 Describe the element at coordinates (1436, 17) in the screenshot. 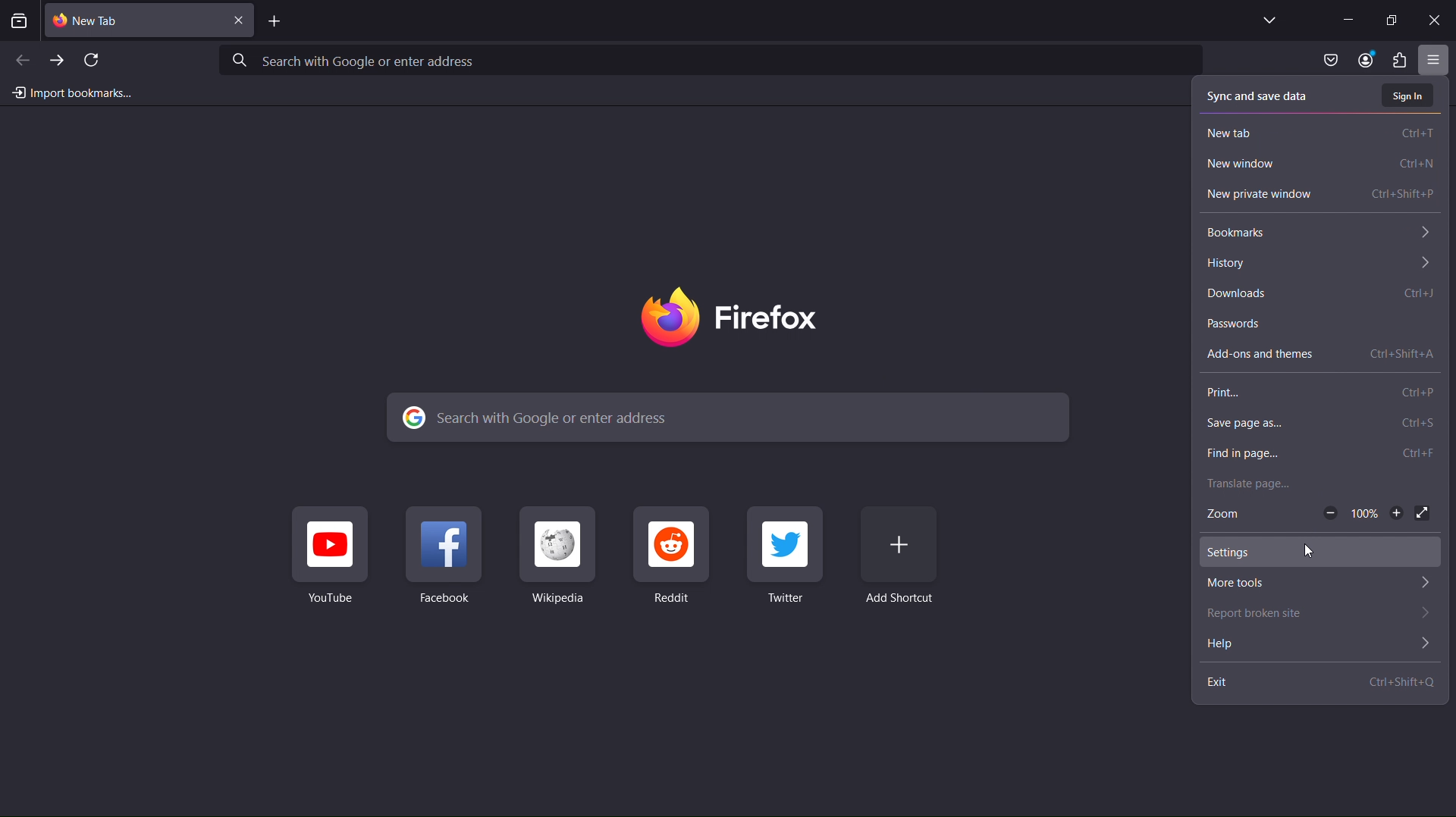

I see `Close` at that location.